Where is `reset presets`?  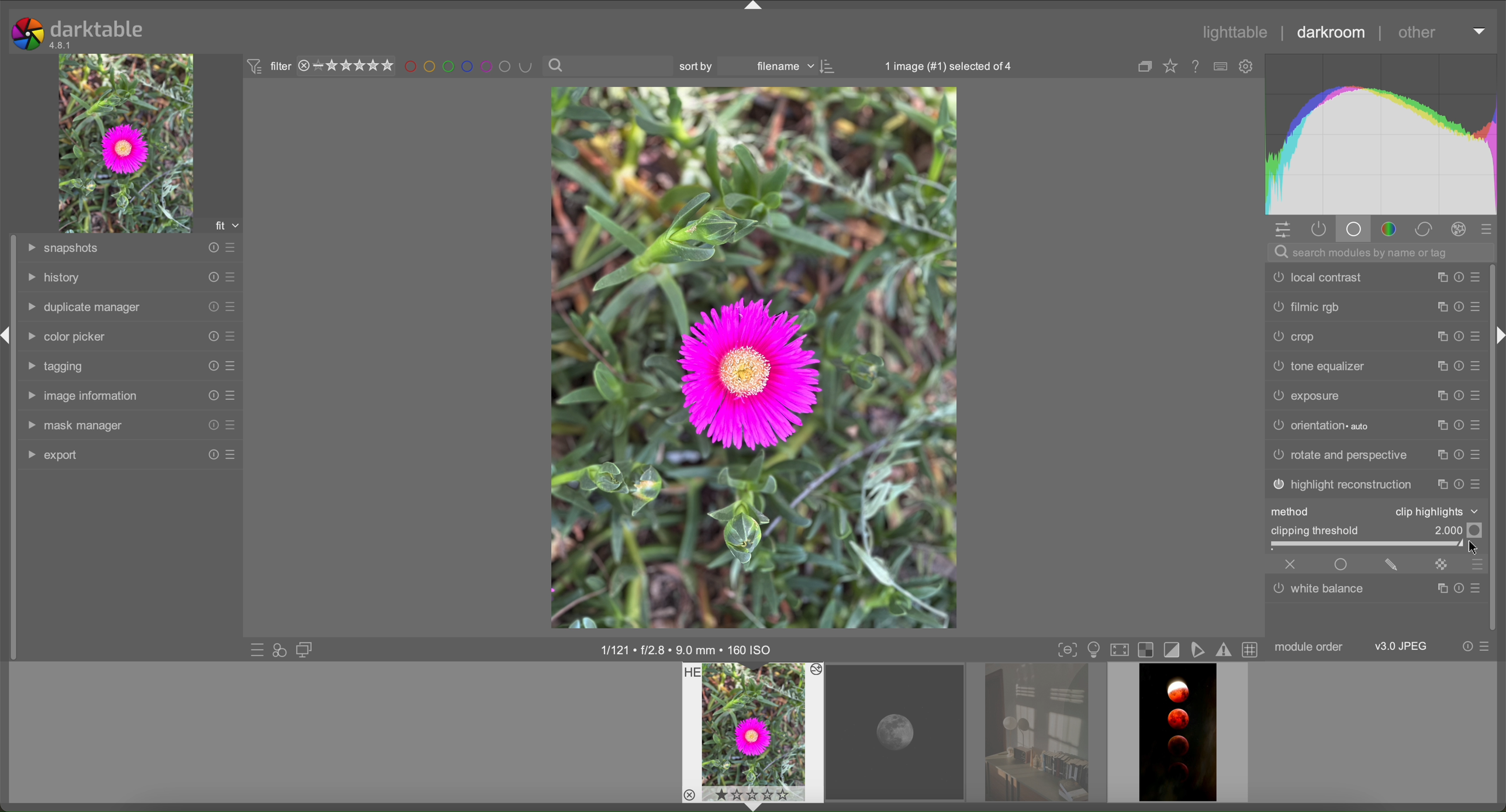
reset presets is located at coordinates (1458, 426).